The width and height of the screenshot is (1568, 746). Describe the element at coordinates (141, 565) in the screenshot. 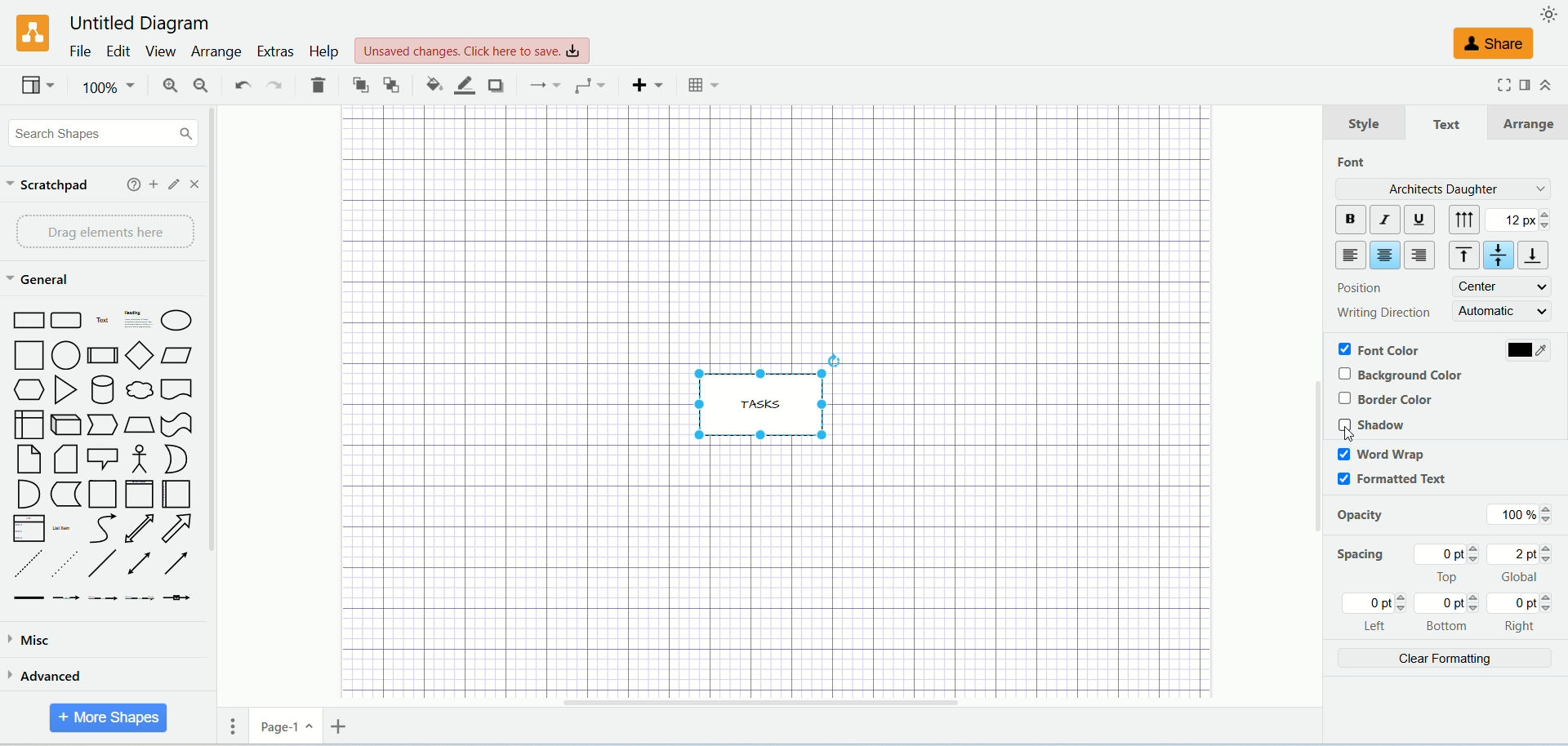

I see `Bidirectional Arrow` at that location.